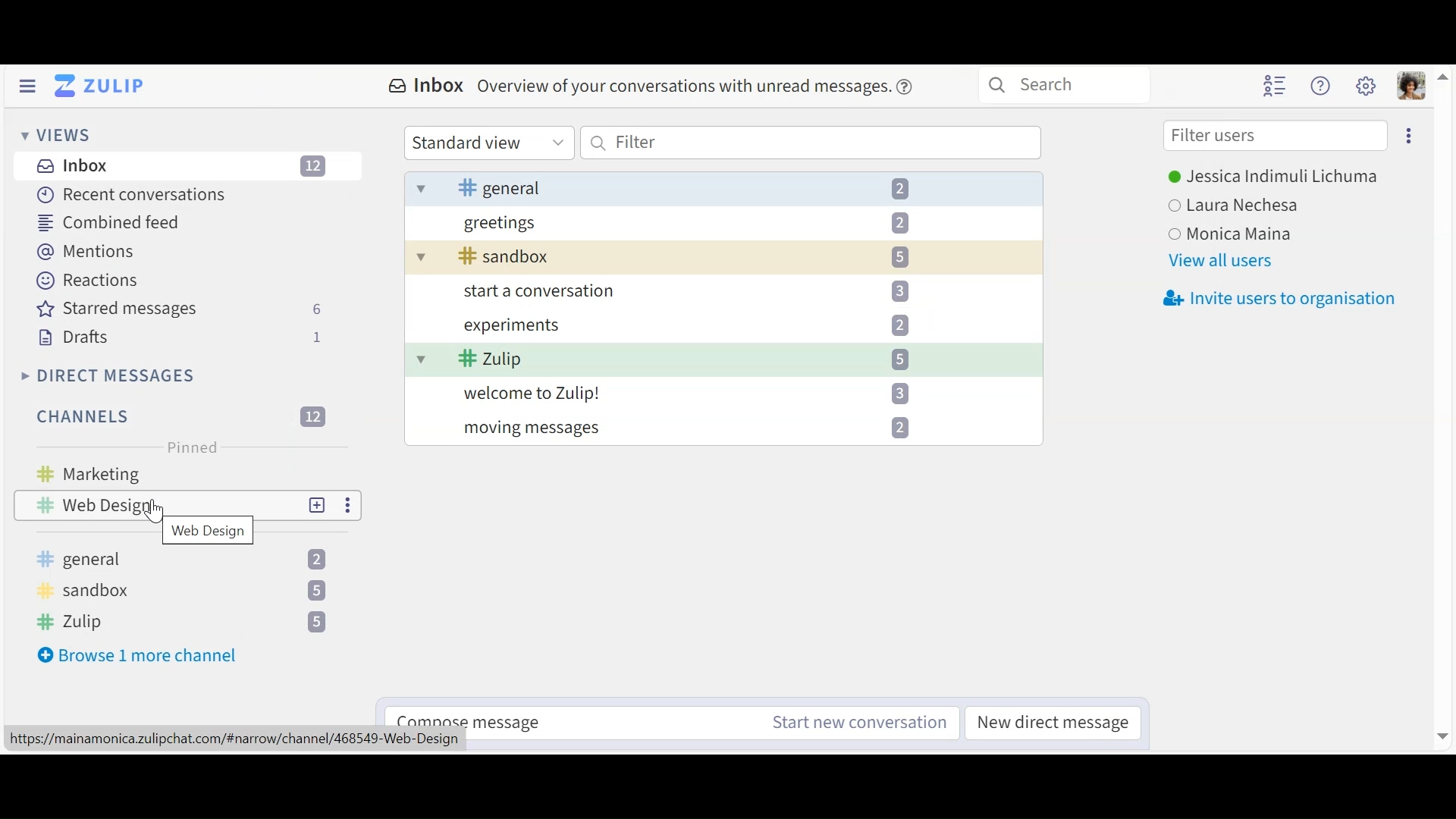 The width and height of the screenshot is (1456, 819). I want to click on welcome to Zulip!, so click(723, 391).